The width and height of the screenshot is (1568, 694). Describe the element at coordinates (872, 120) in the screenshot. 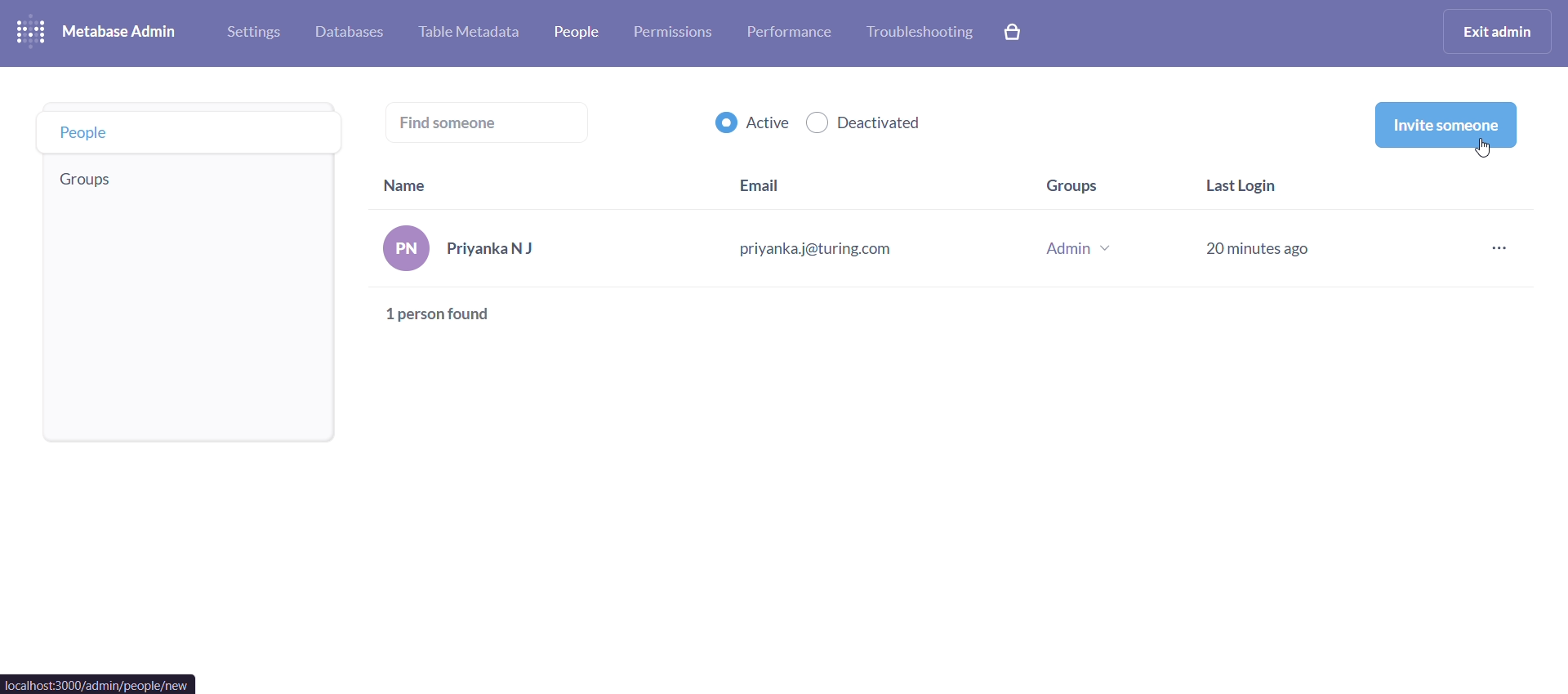

I see `deactivated` at that location.